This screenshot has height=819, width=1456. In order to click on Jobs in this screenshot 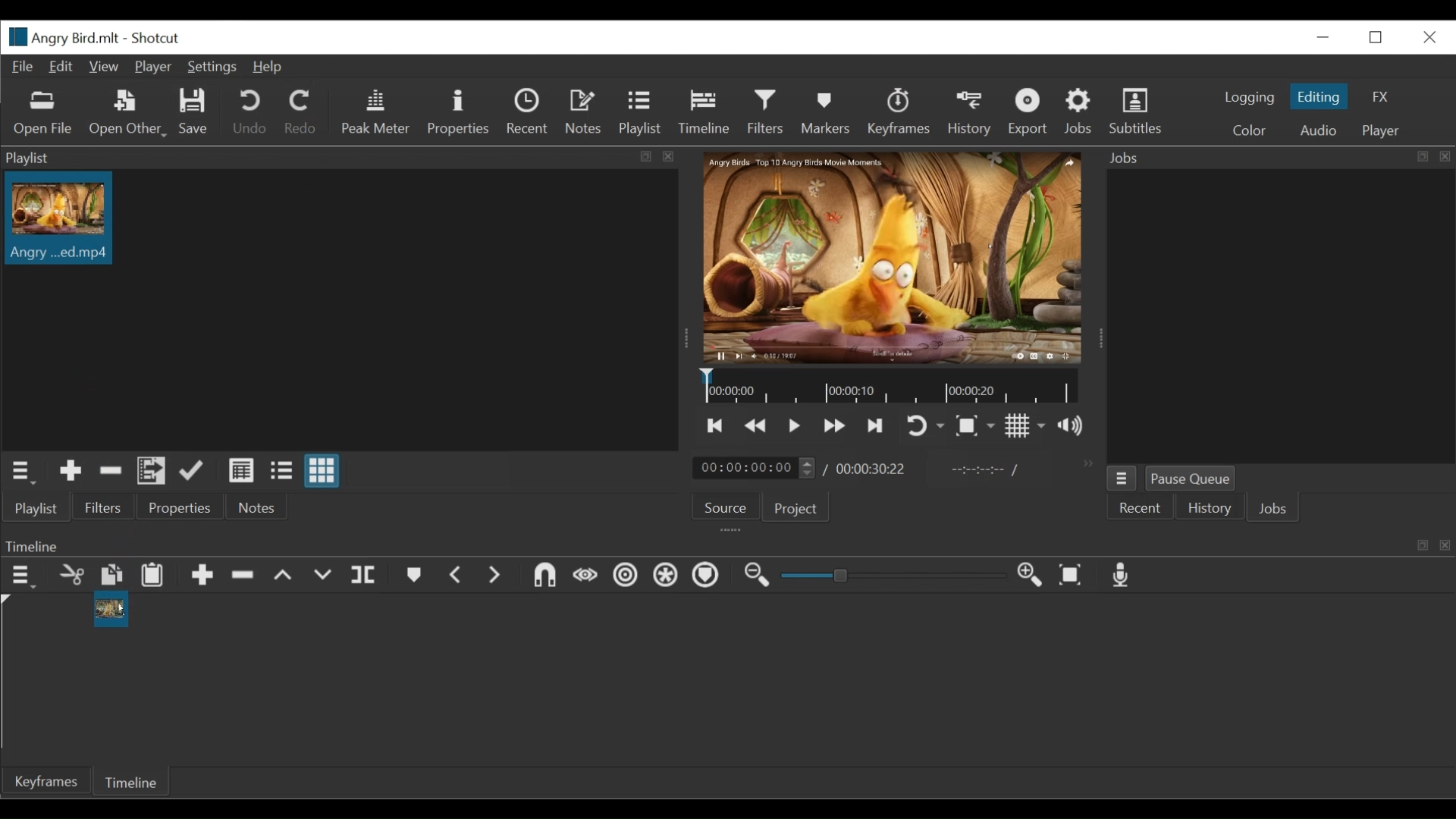, I will do `click(1081, 111)`.